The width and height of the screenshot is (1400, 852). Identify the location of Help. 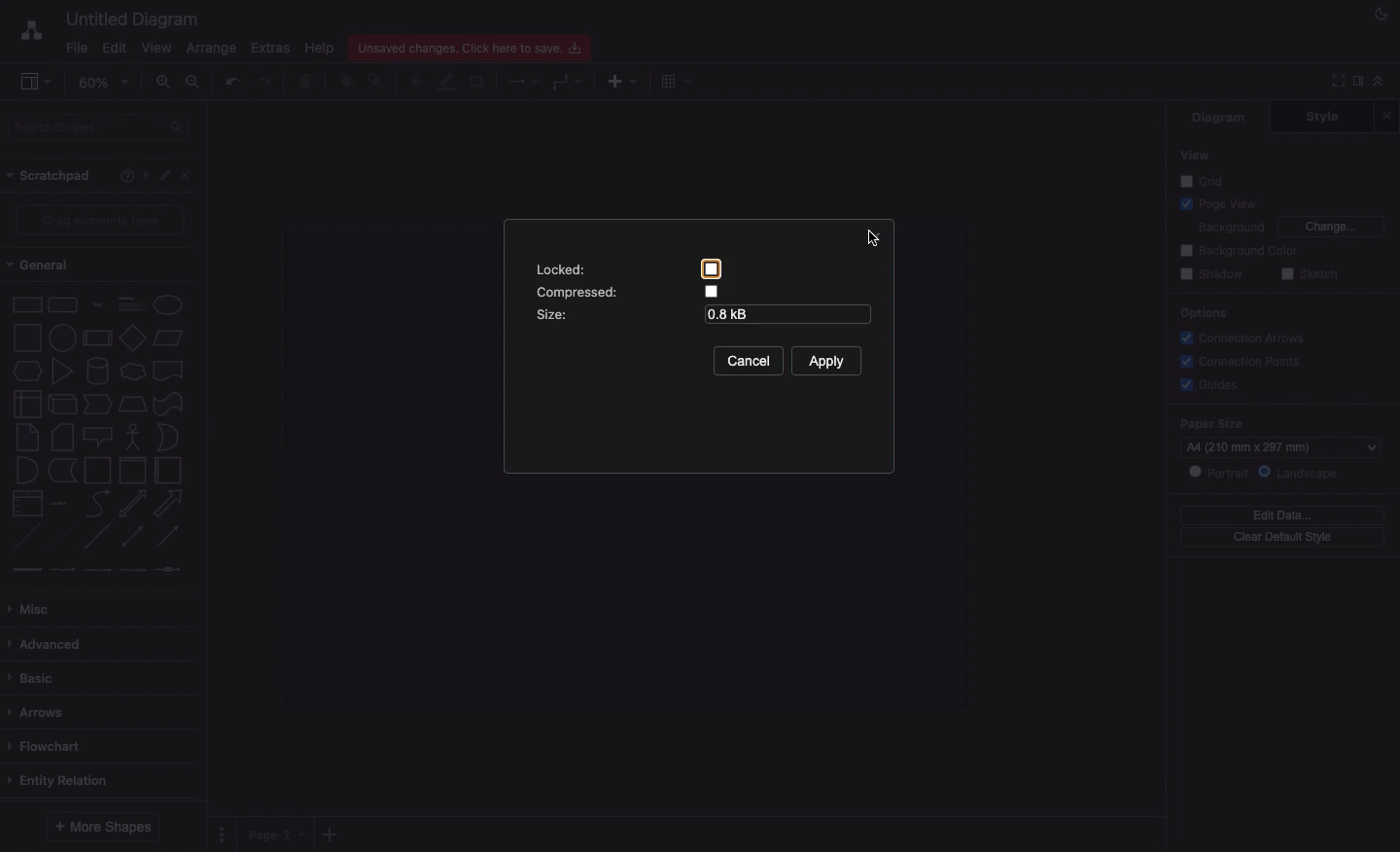
(126, 175).